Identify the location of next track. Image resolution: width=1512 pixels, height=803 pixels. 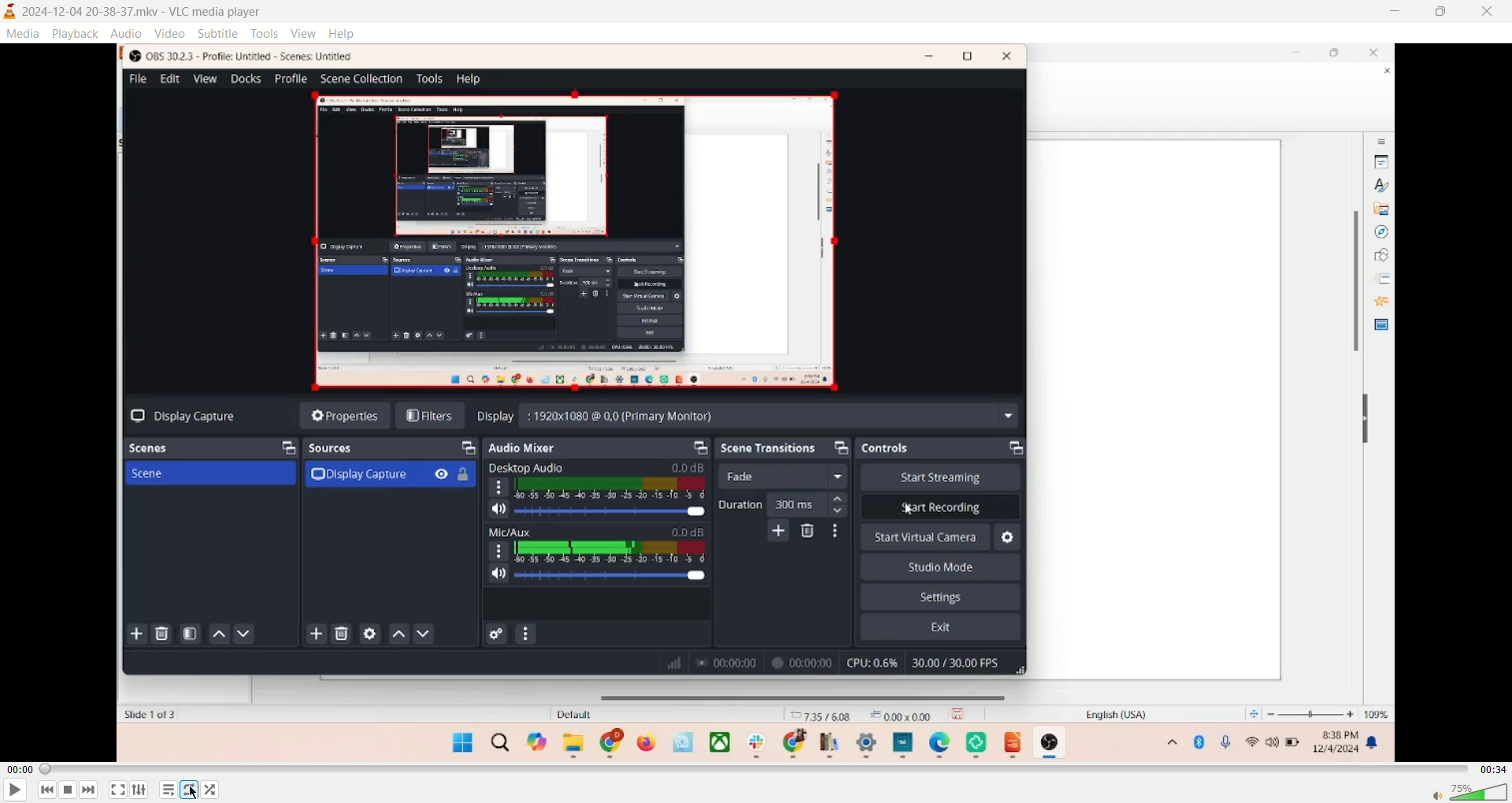
(89, 790).